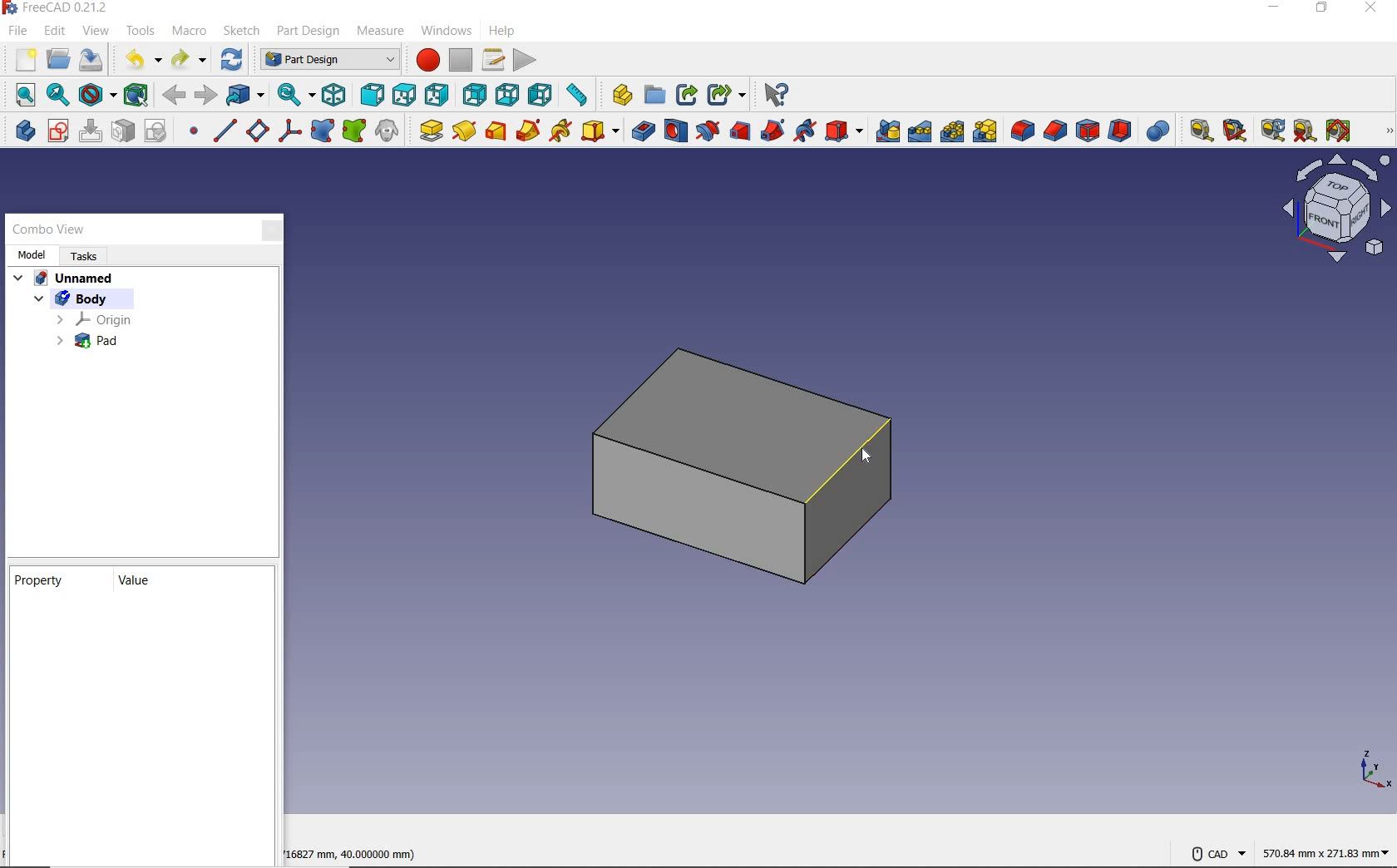 This screenshot has height=868, width=1397. I want to click on additive helix, so click(561, 131).